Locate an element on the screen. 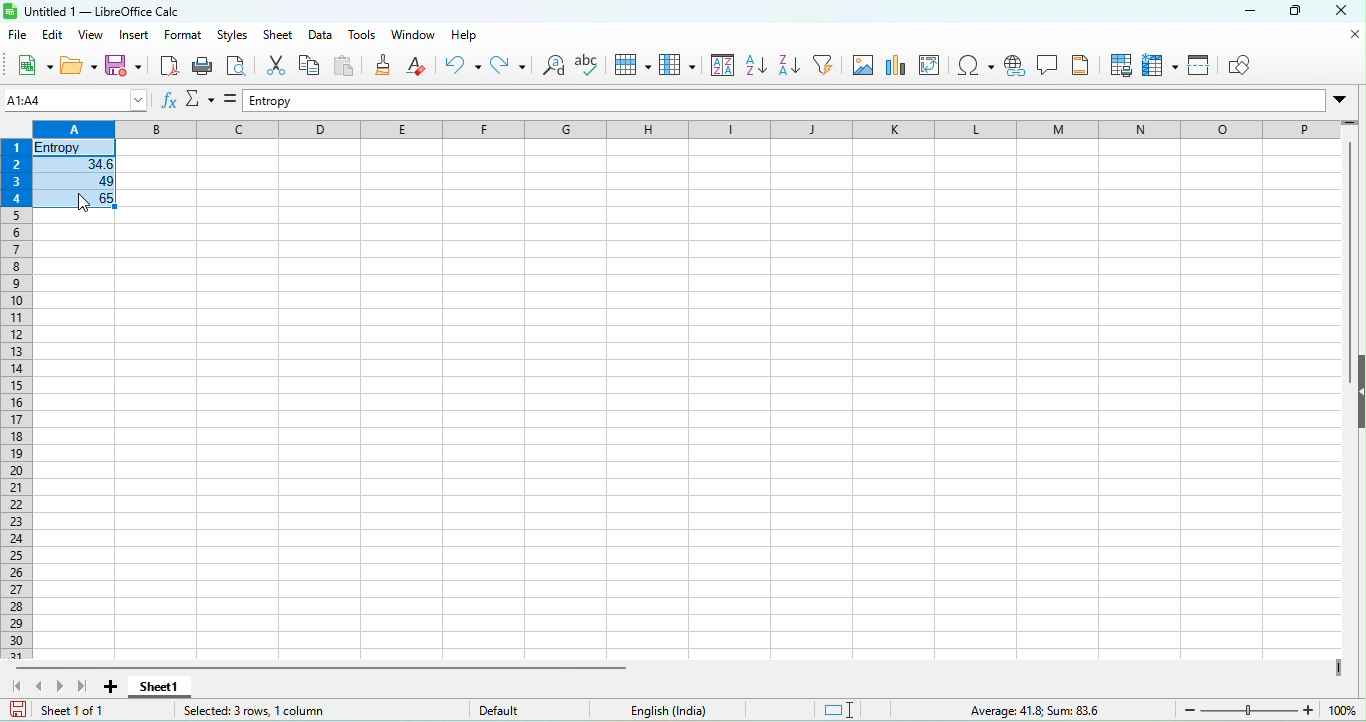 The width and height of the screenshot is (1366, 722). sort ascending  is located at coordinates (758, 68).